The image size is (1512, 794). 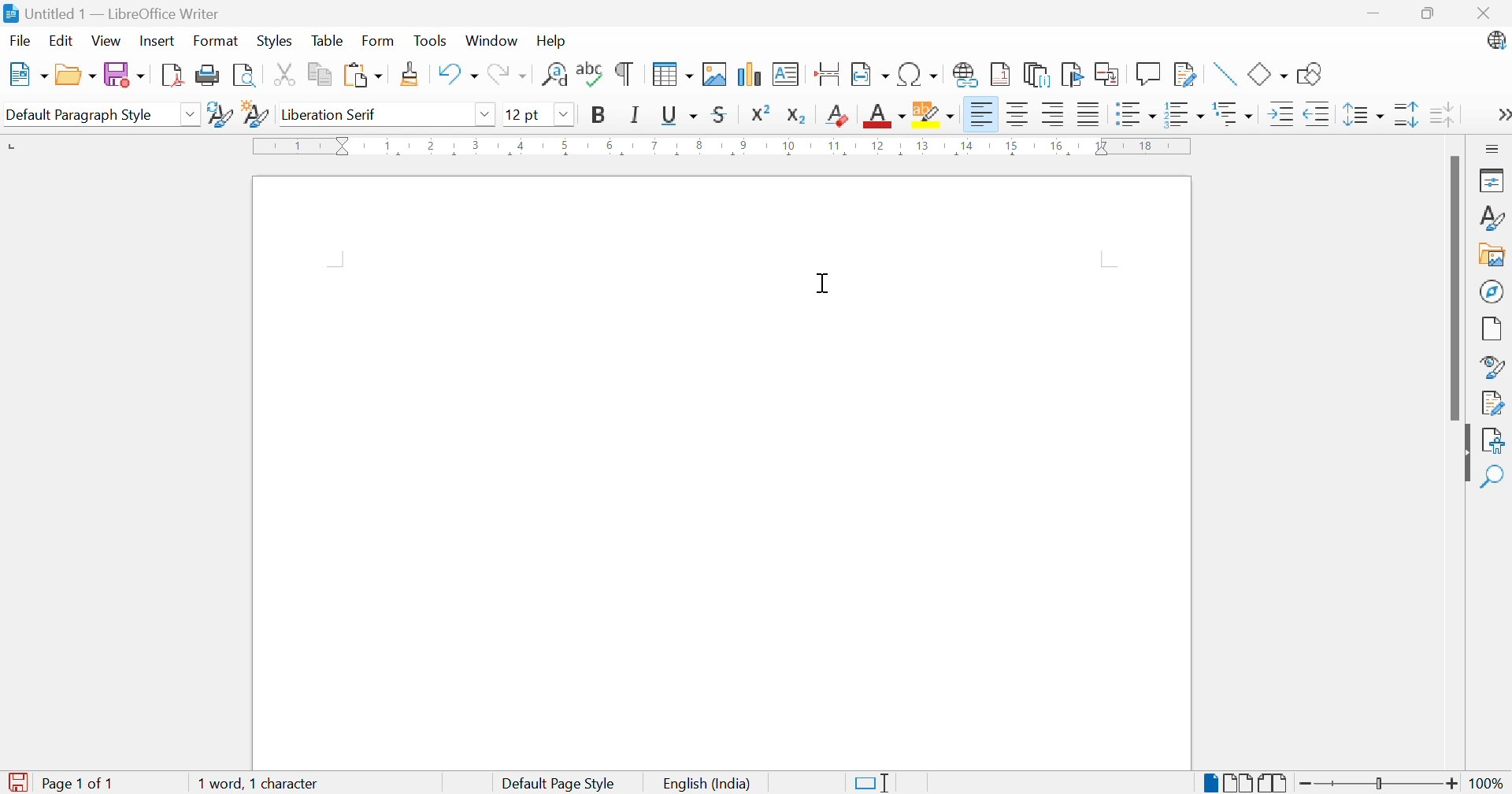 I want to click on Find, so click(x=1496, y=477).